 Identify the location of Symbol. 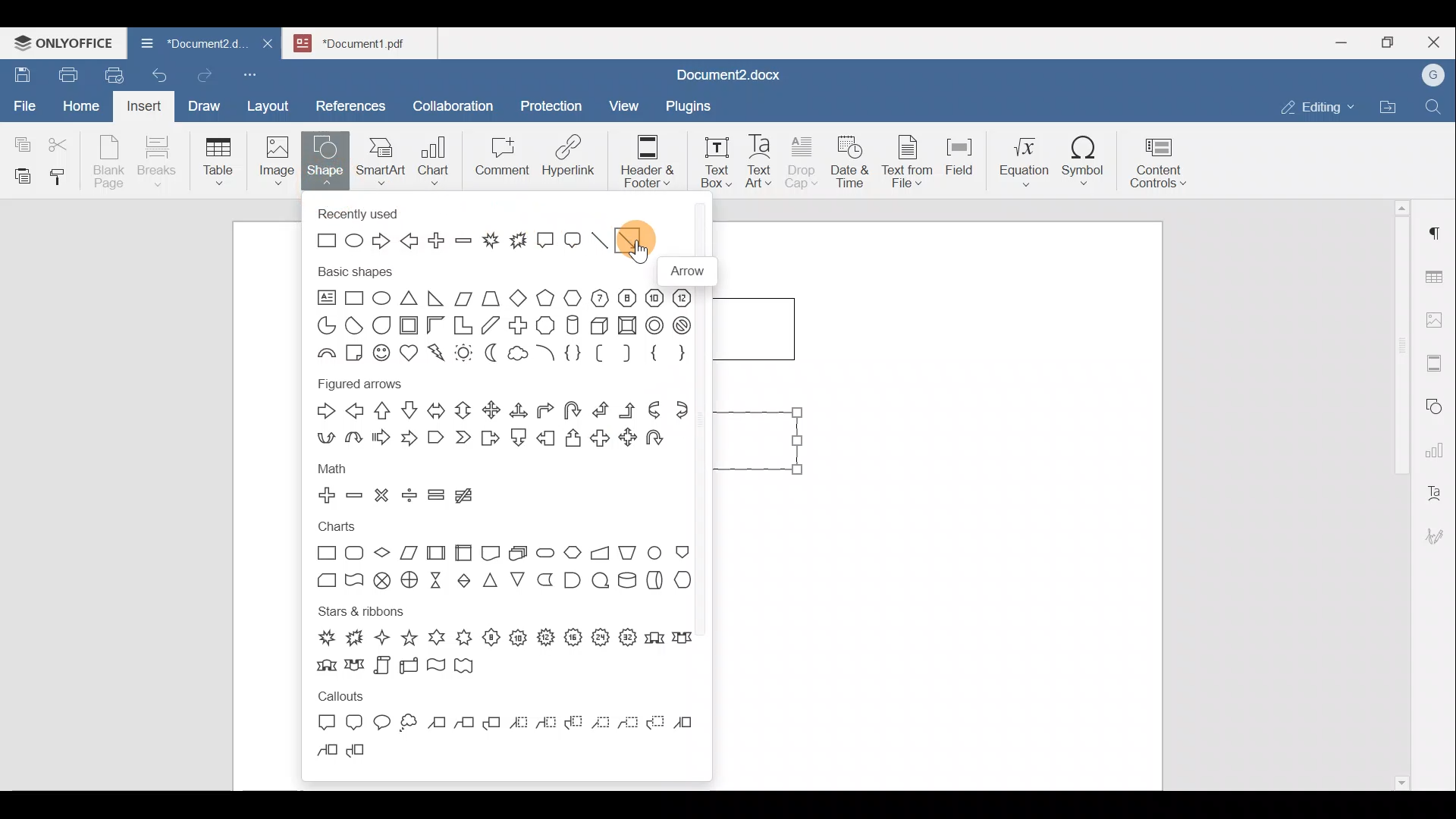
(1084, 165).